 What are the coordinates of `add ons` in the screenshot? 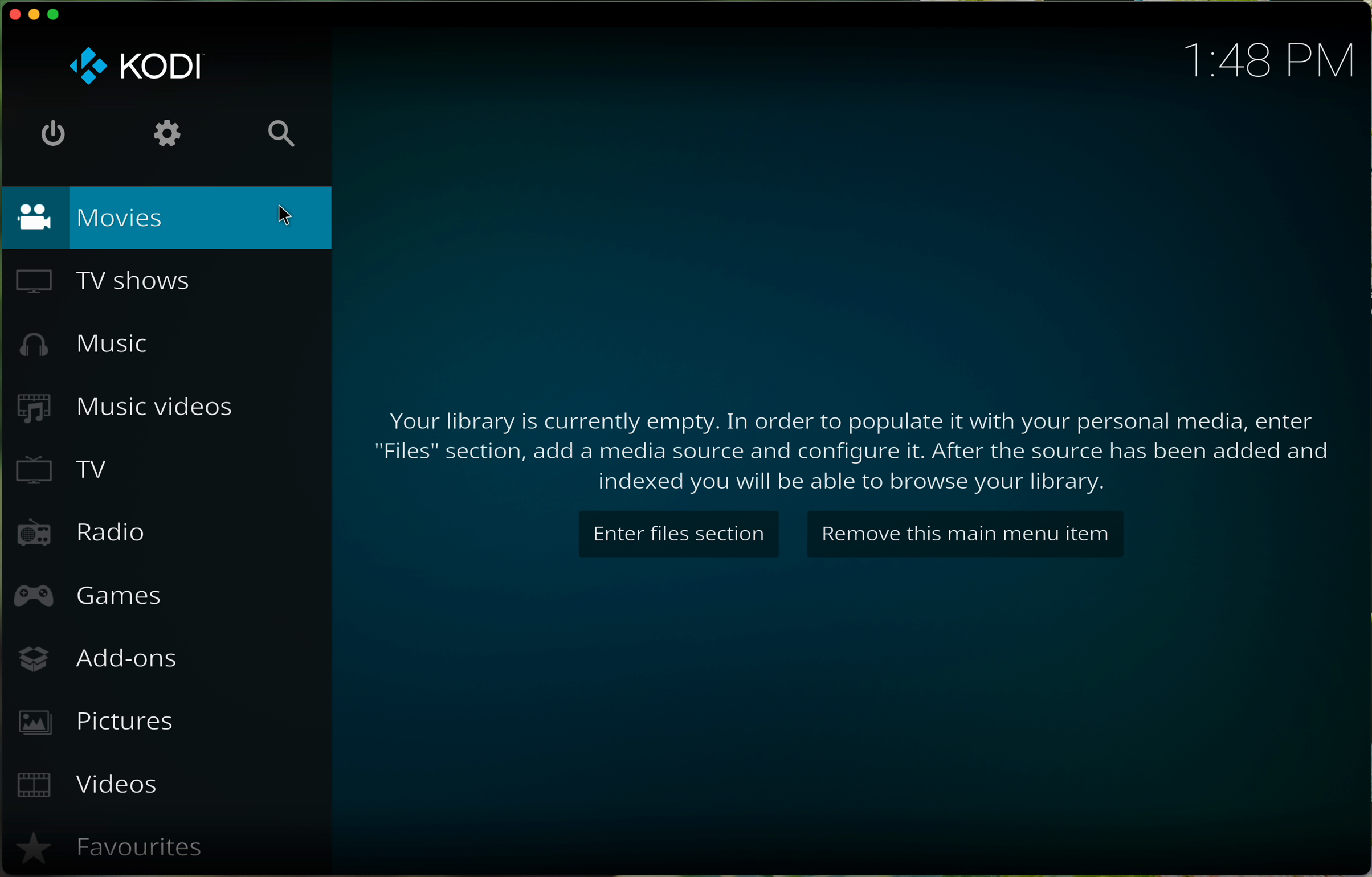 It's located at (113, 658).